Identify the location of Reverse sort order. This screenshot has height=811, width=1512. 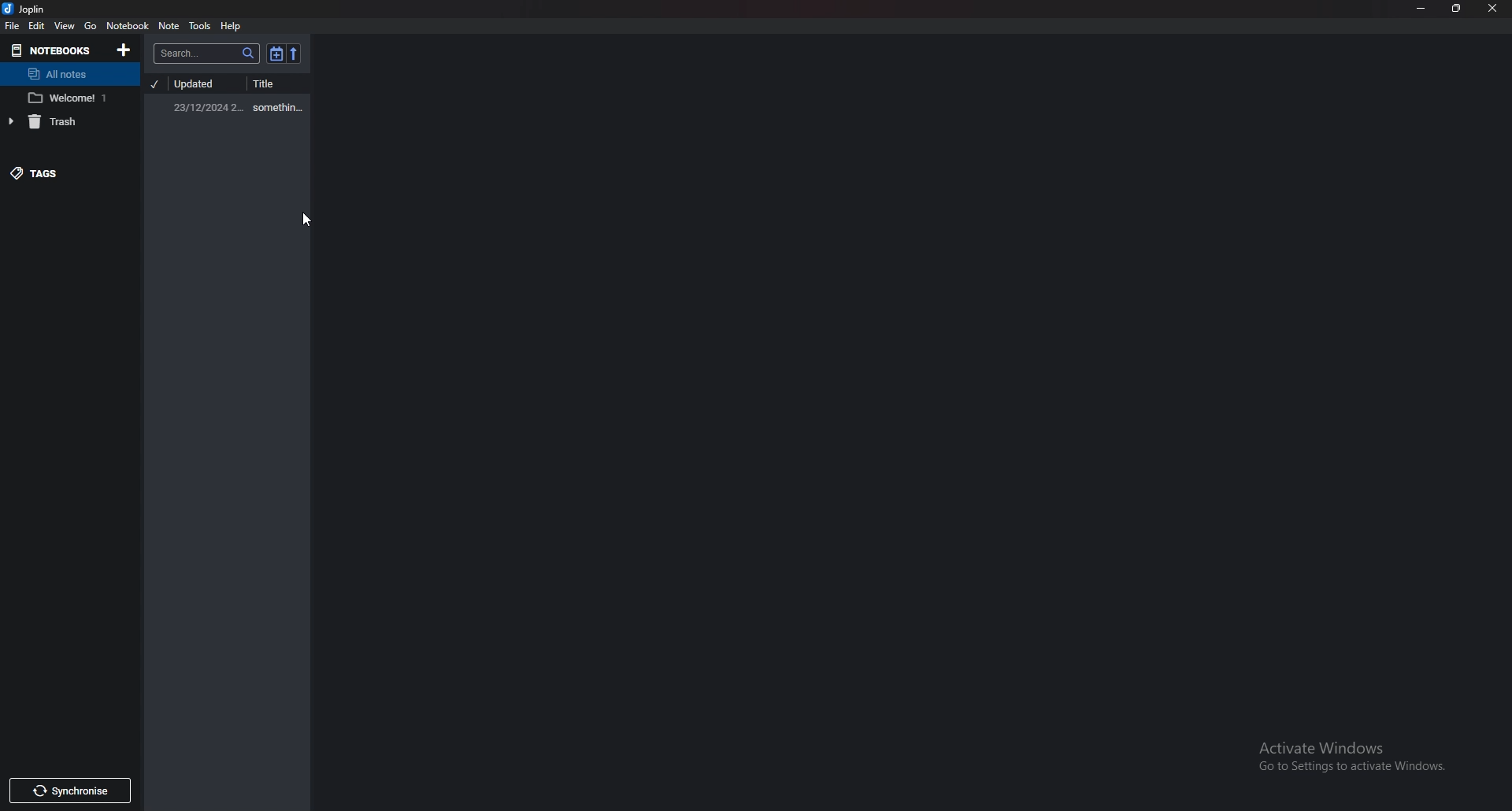
(293, 53).